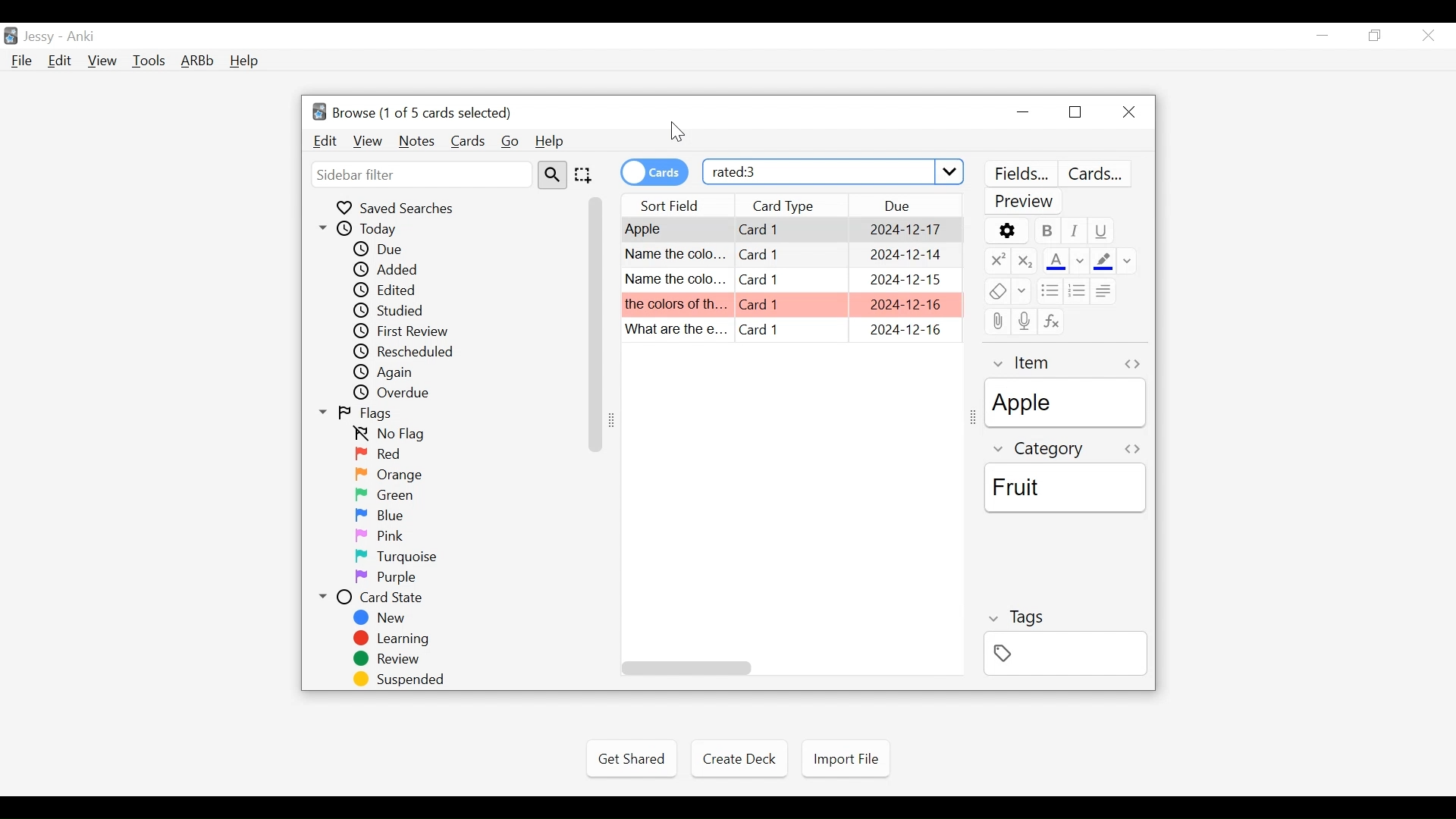  I want to click on Red, so click(383, 454).